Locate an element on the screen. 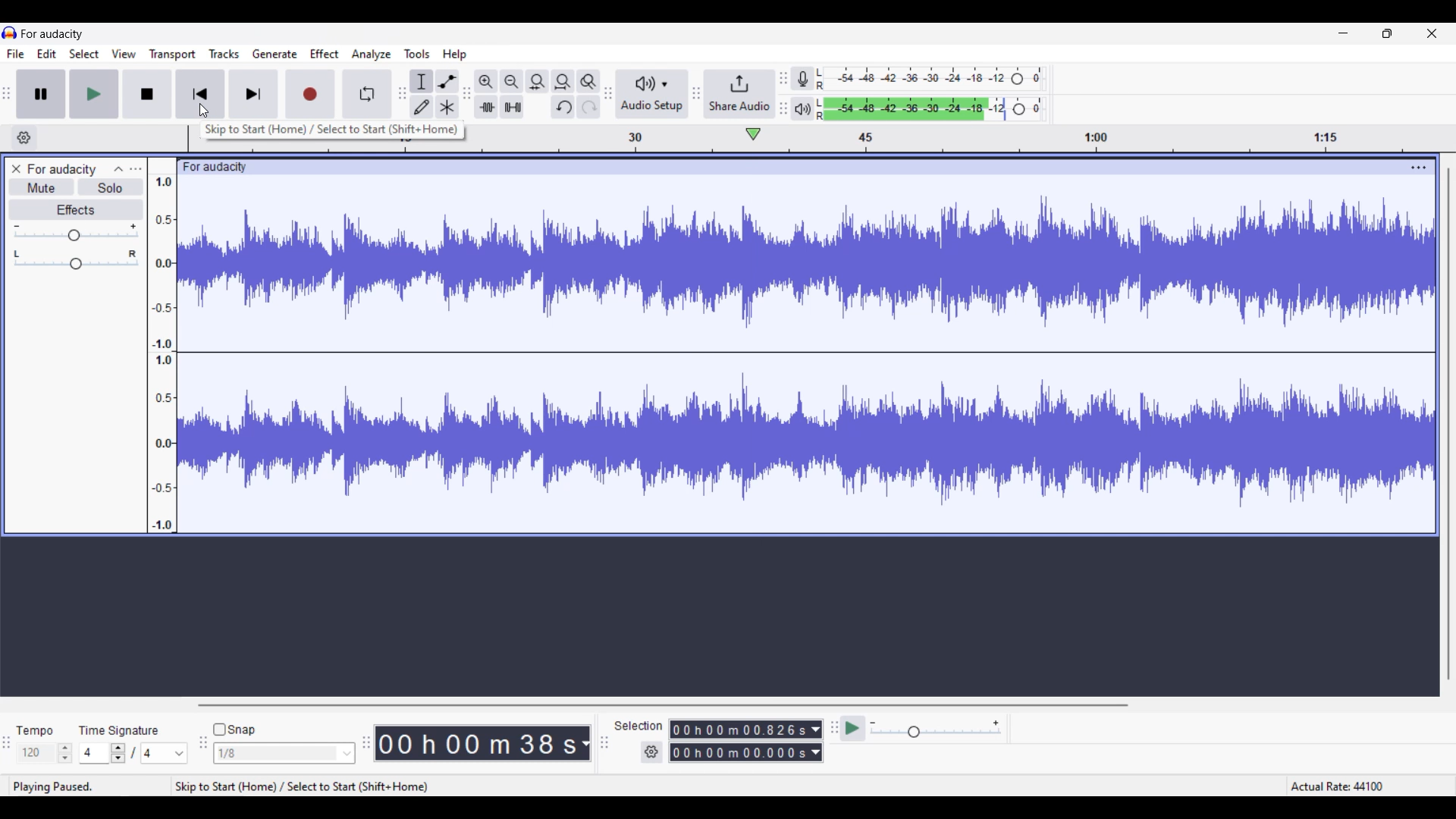 Image resolution: width=1456 pixels, height=819 pixels. Multi tool is located at coordinates (447, 107).